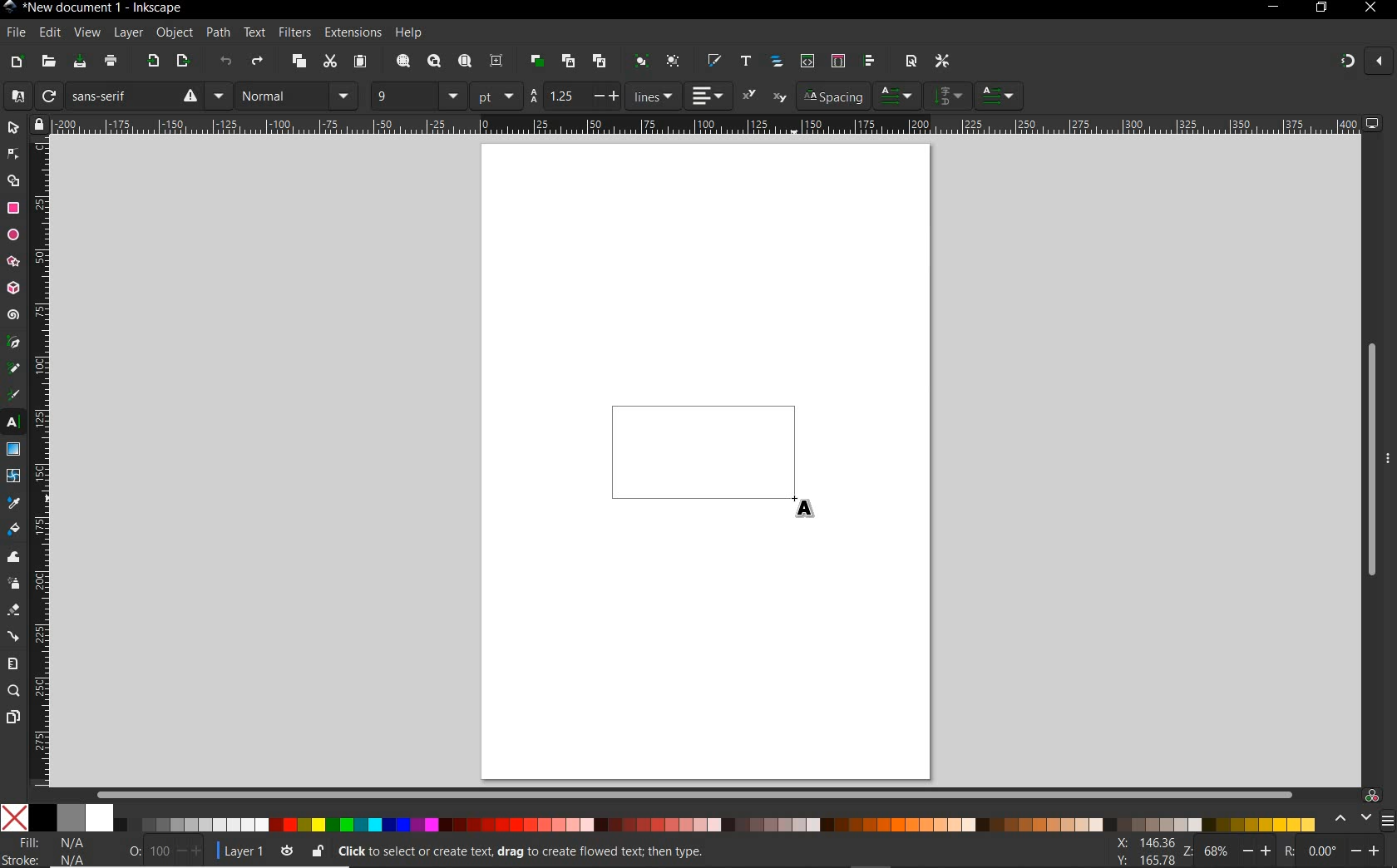 This screenshot has width=1397, height=868. What do you see at coordinates (16, 395) in the screenshot?
I see `calligraphy tool` at bounding box center [16, 395].